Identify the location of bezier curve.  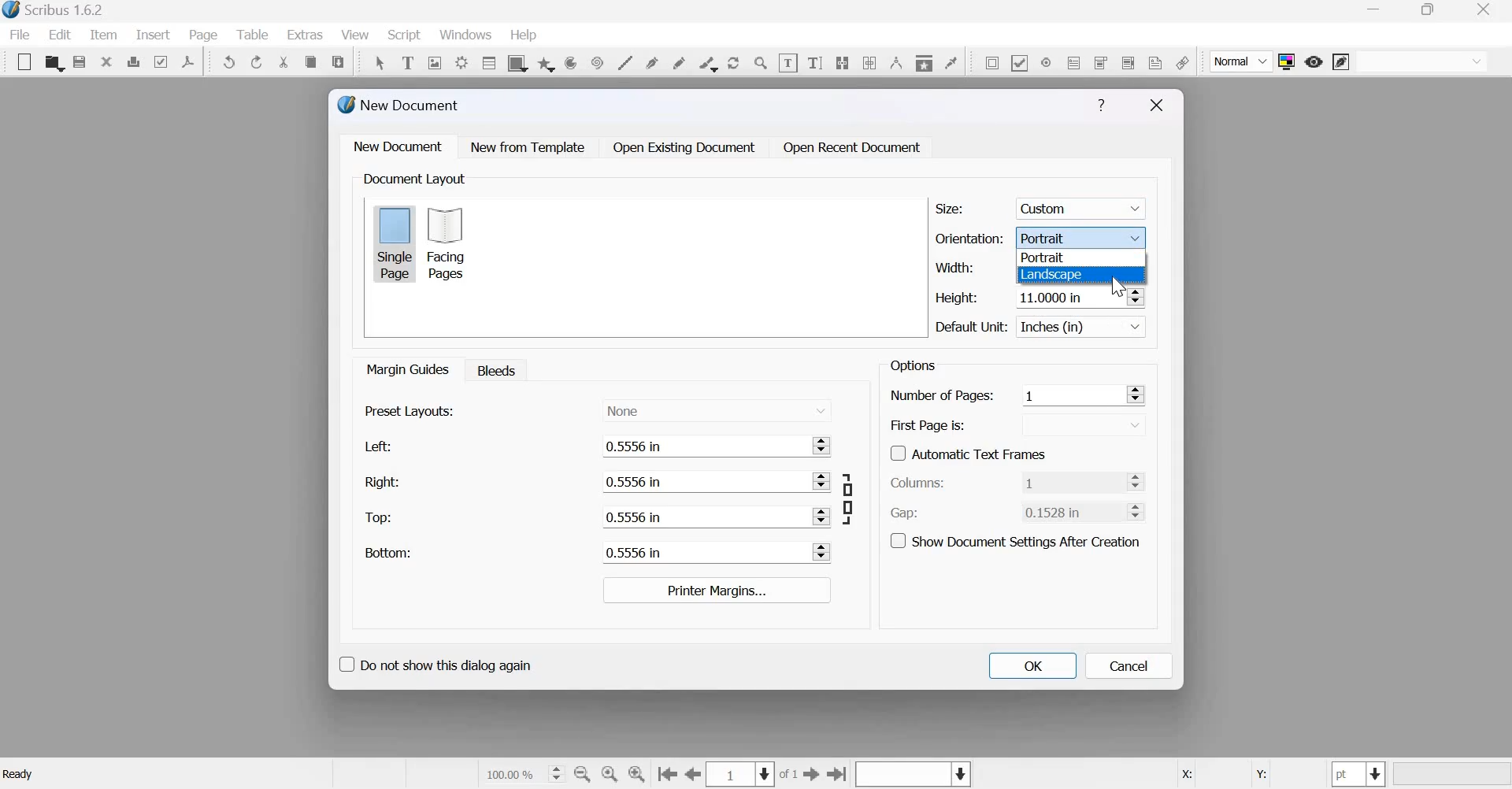
(654, 61).